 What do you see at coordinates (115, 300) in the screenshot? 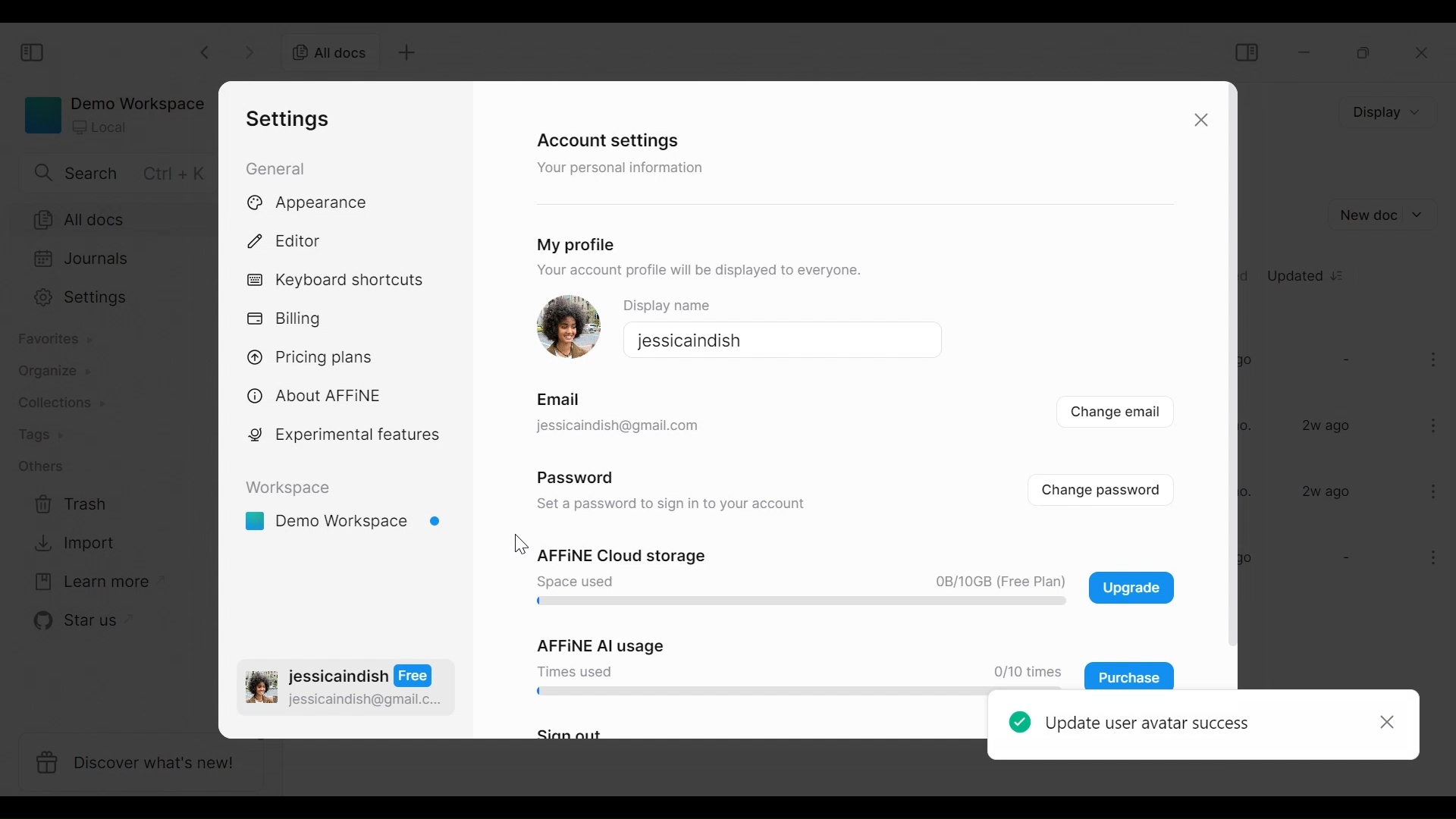
I see `Settings` at bounding box center [115, 300].